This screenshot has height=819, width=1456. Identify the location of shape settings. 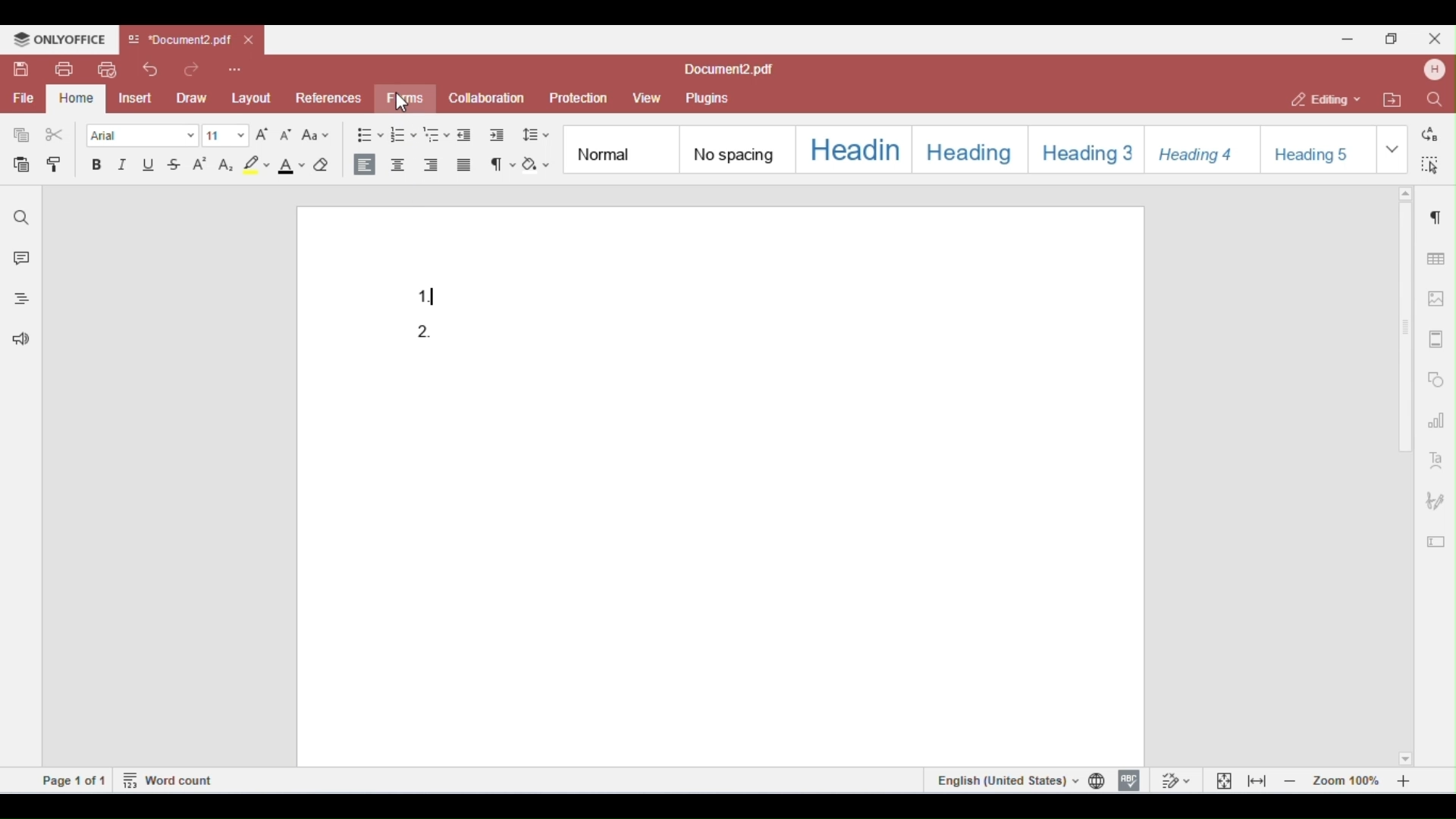
(1436, 376).